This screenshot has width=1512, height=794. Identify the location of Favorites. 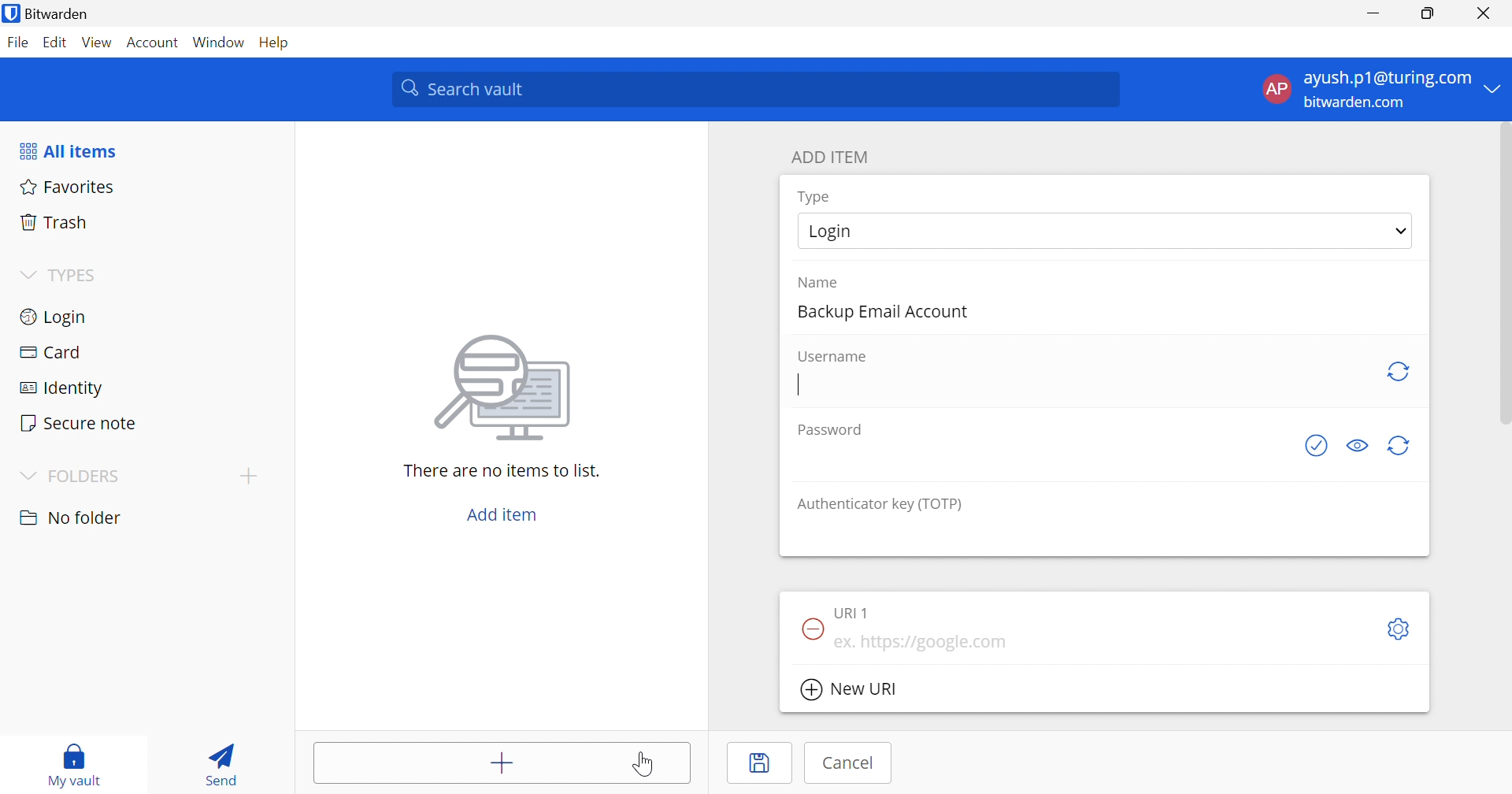
(69, 186).